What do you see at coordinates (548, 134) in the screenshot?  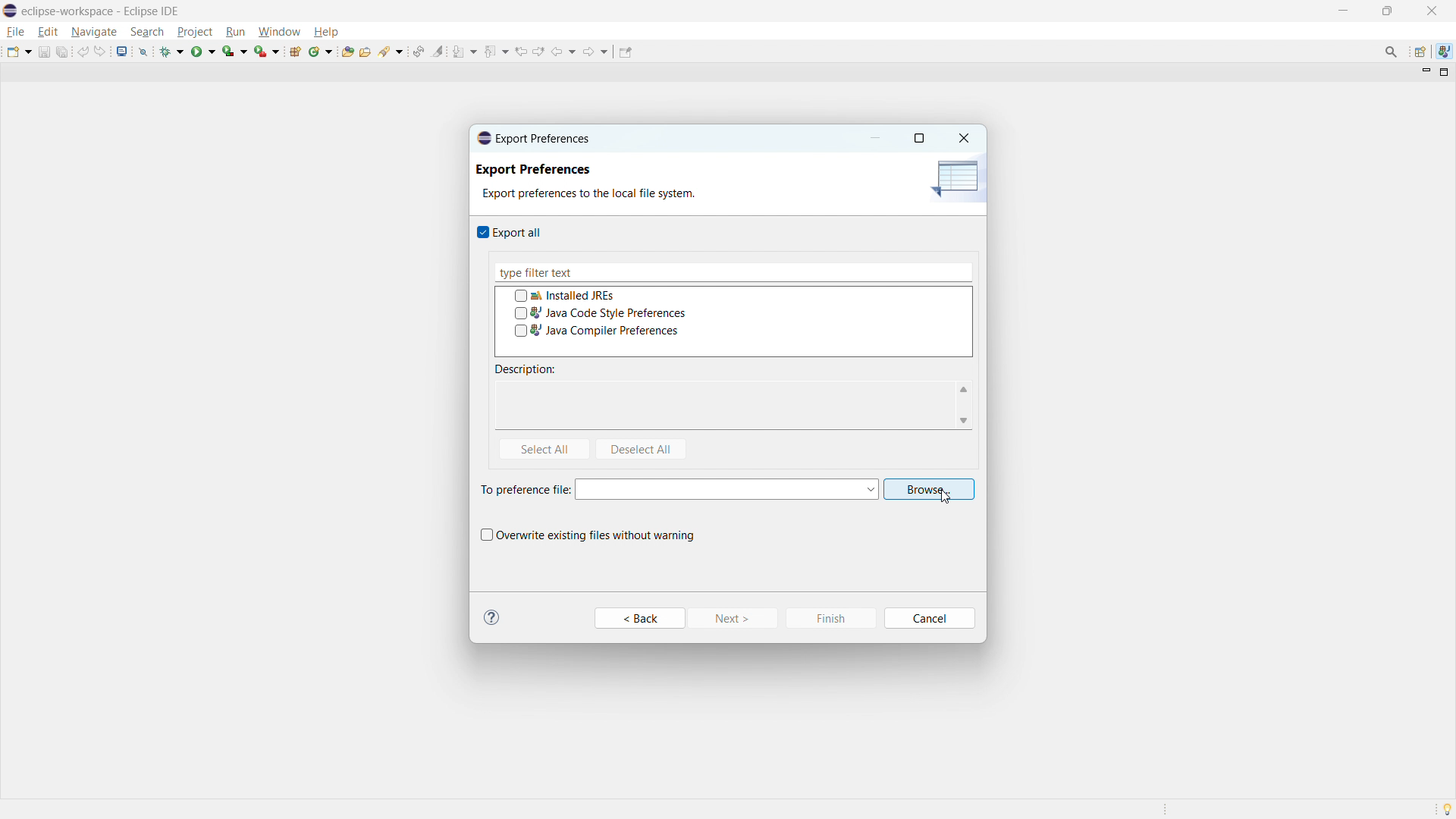 I see `Export Preferences` at bounding box center [548, 134].